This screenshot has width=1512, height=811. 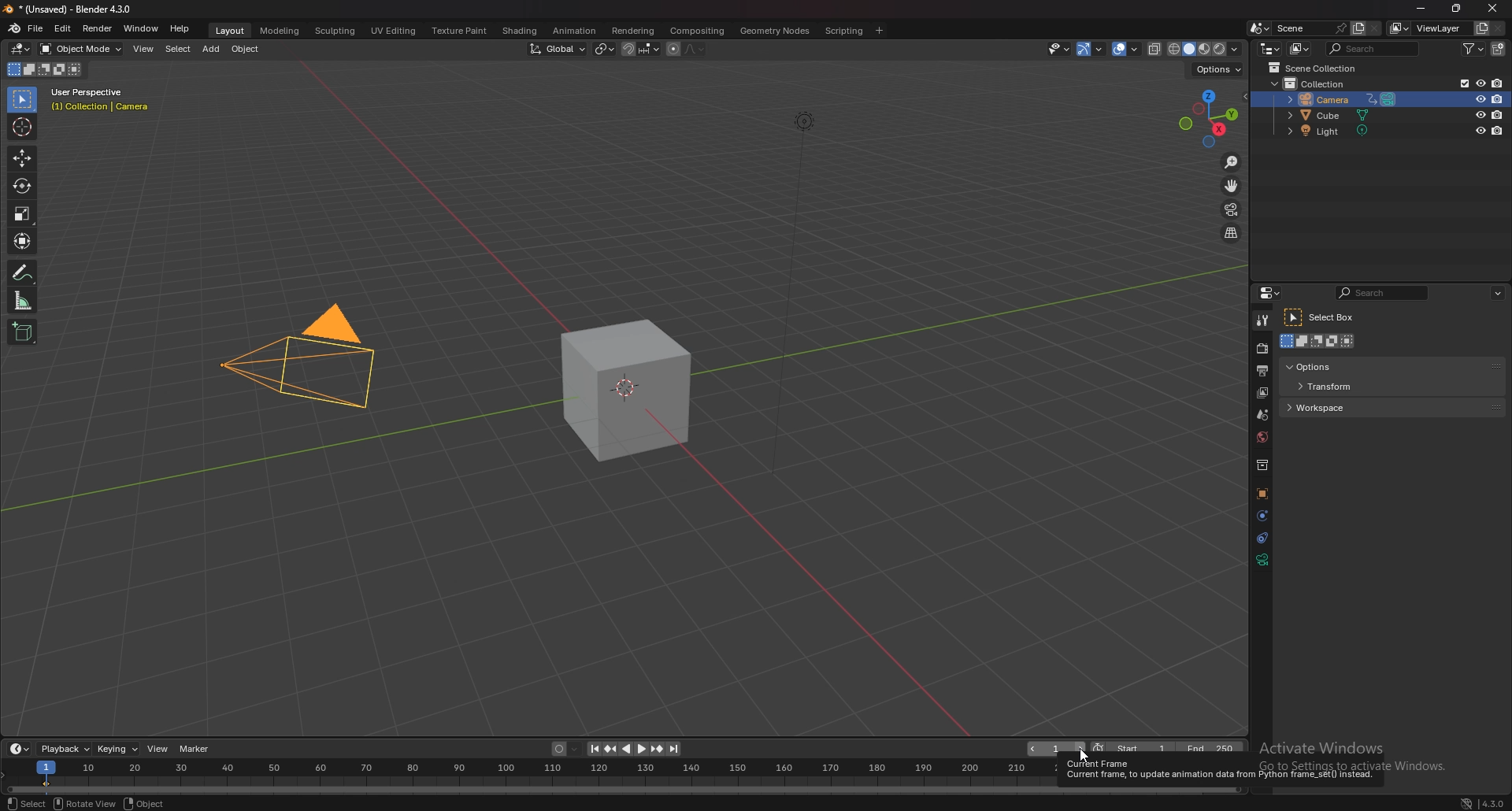 I want to click on render, so click(x=97, y=28).